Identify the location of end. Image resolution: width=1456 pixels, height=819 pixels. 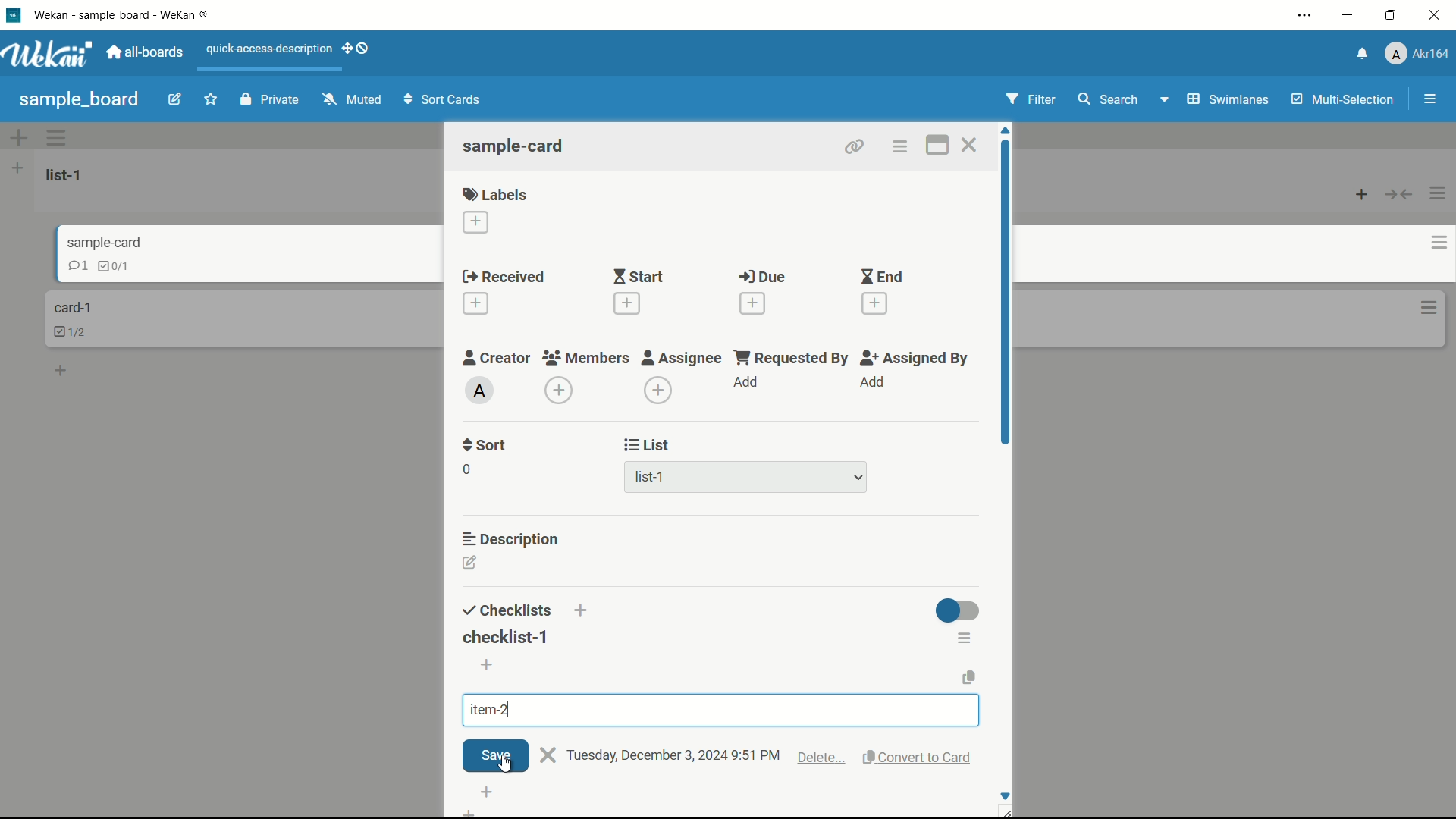
(882, 276).